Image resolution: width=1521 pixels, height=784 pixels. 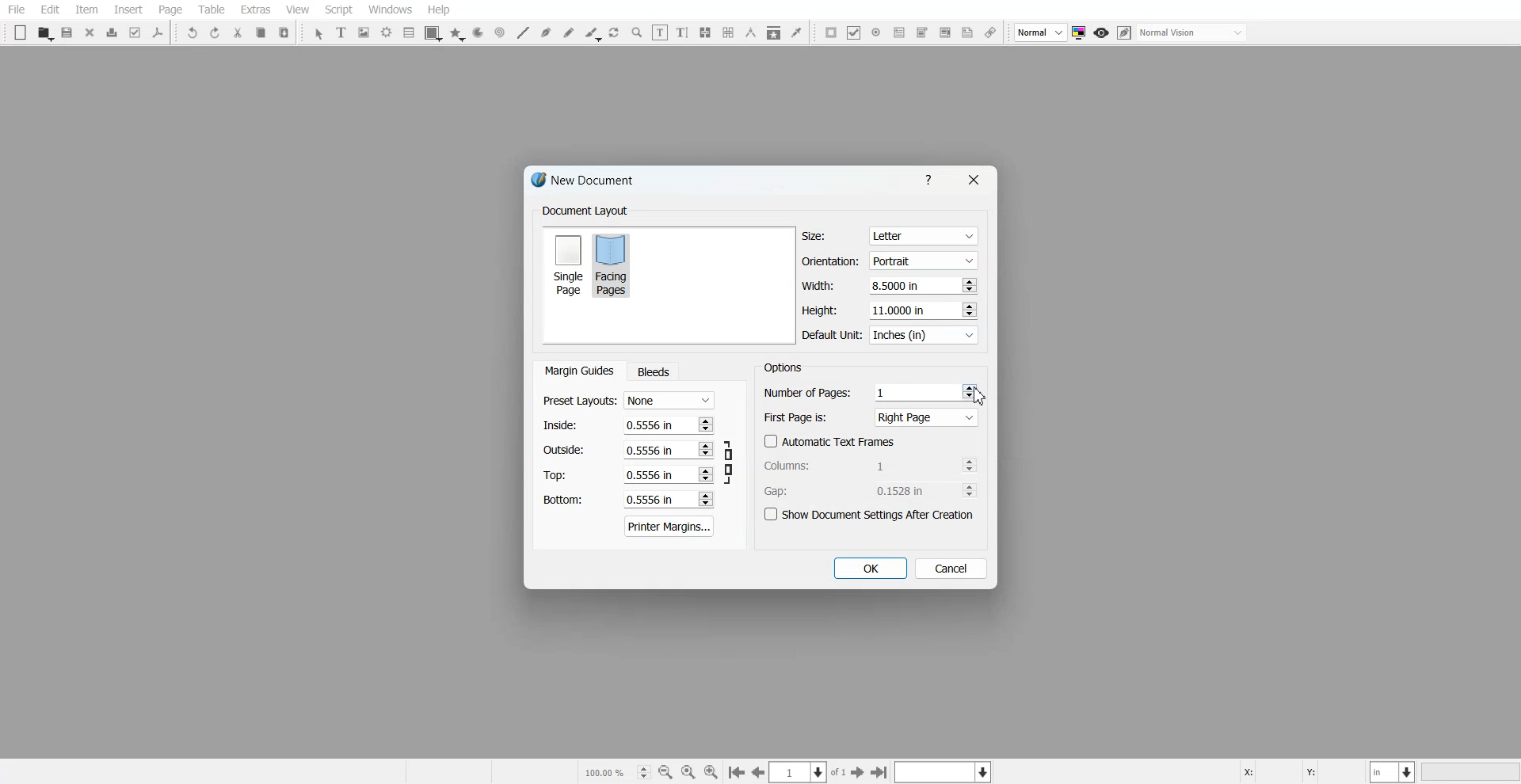 I want to click on PDF List Box, so click(x=944, y=33).